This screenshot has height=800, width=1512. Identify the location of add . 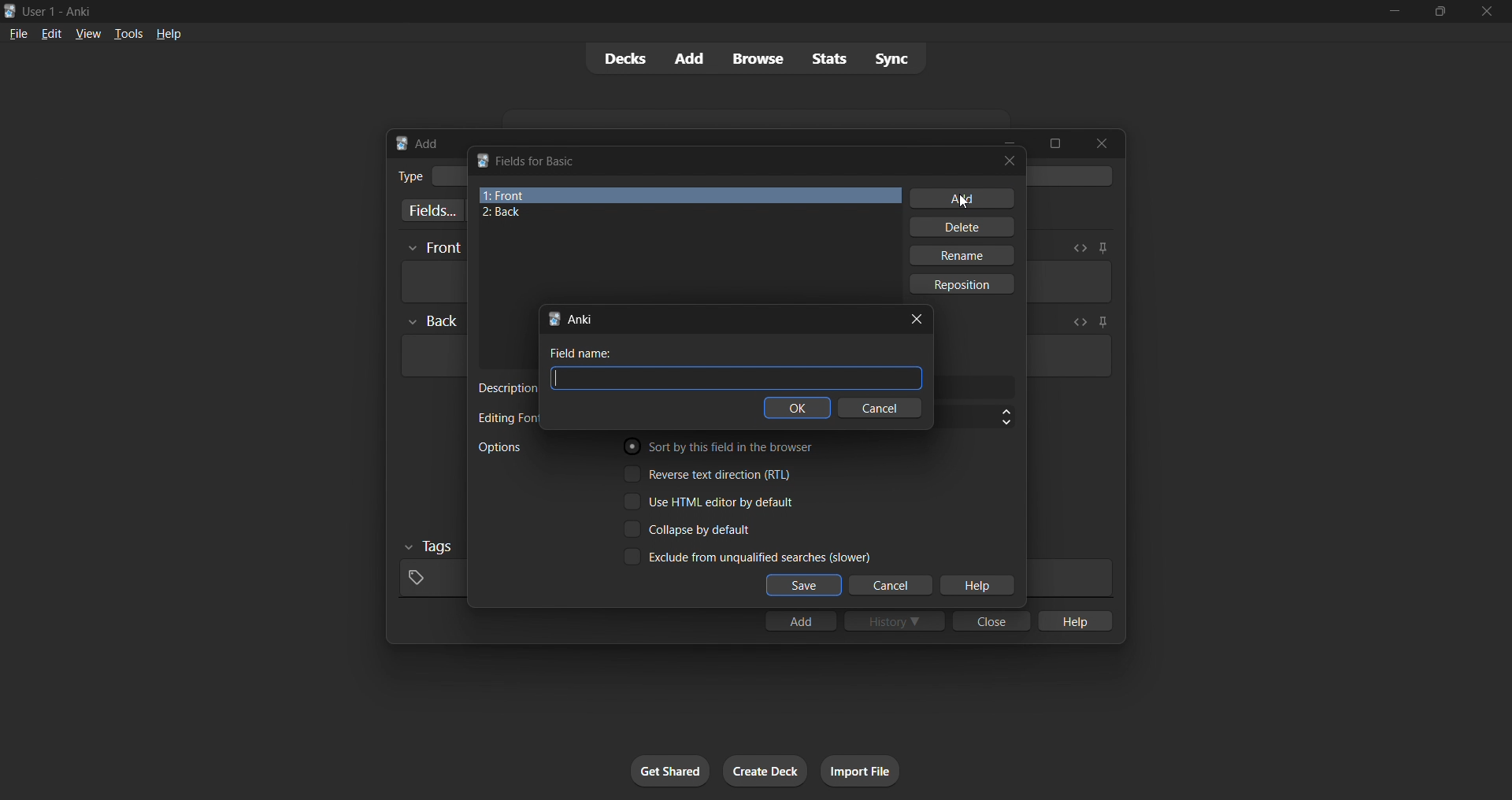
(962, 198).